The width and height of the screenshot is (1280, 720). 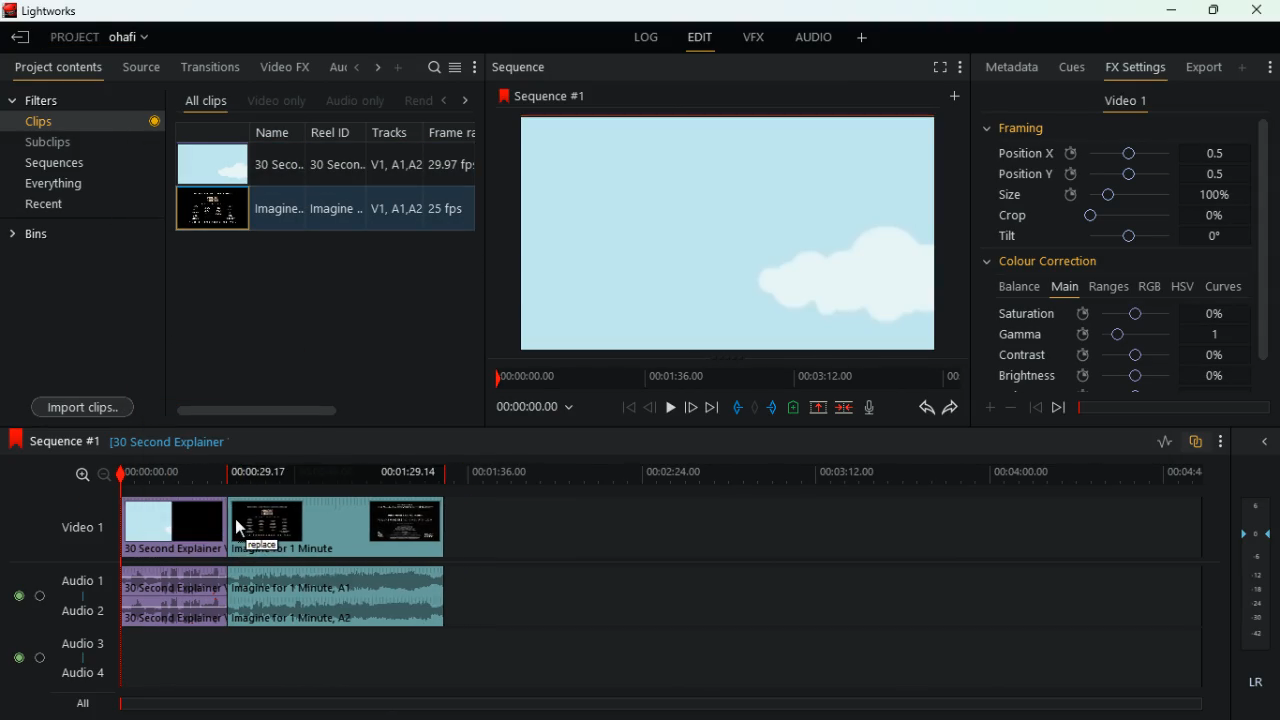 What do you see at coordinates (1016, 287) in the screenshot?
I see `balance` at bounding box center [1016, 287].